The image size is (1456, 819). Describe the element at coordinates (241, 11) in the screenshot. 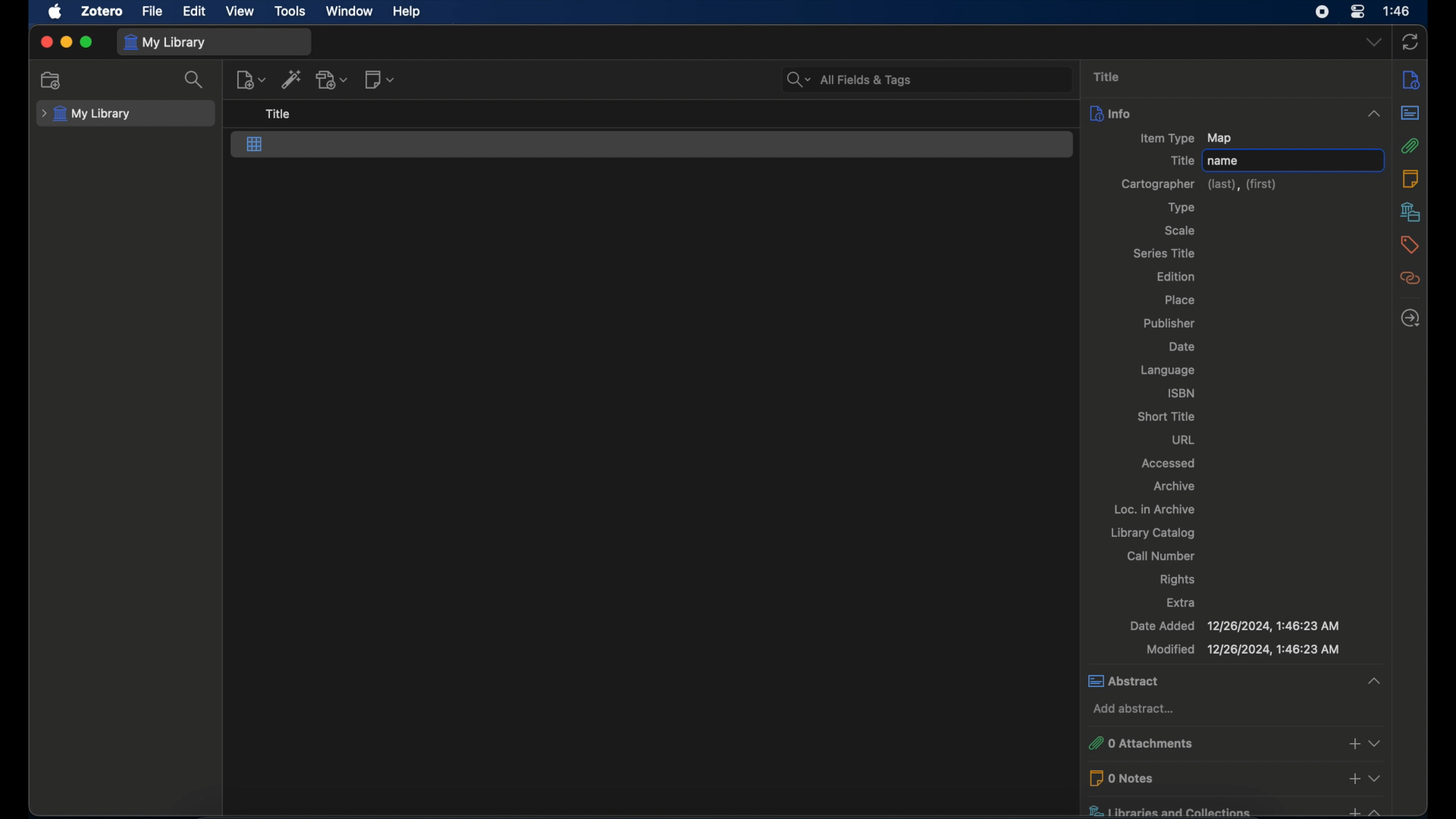

I see `view` at that location.